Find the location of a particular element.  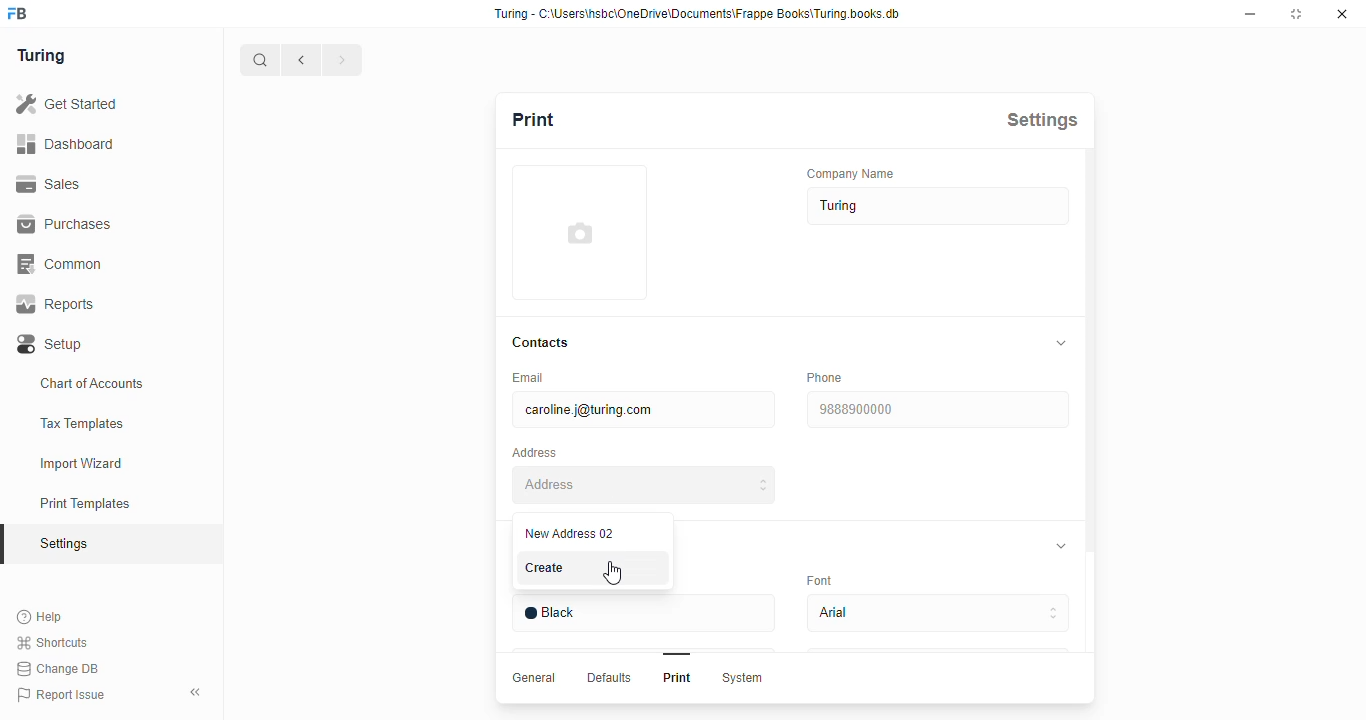

print is located at coordinates (534, 119).